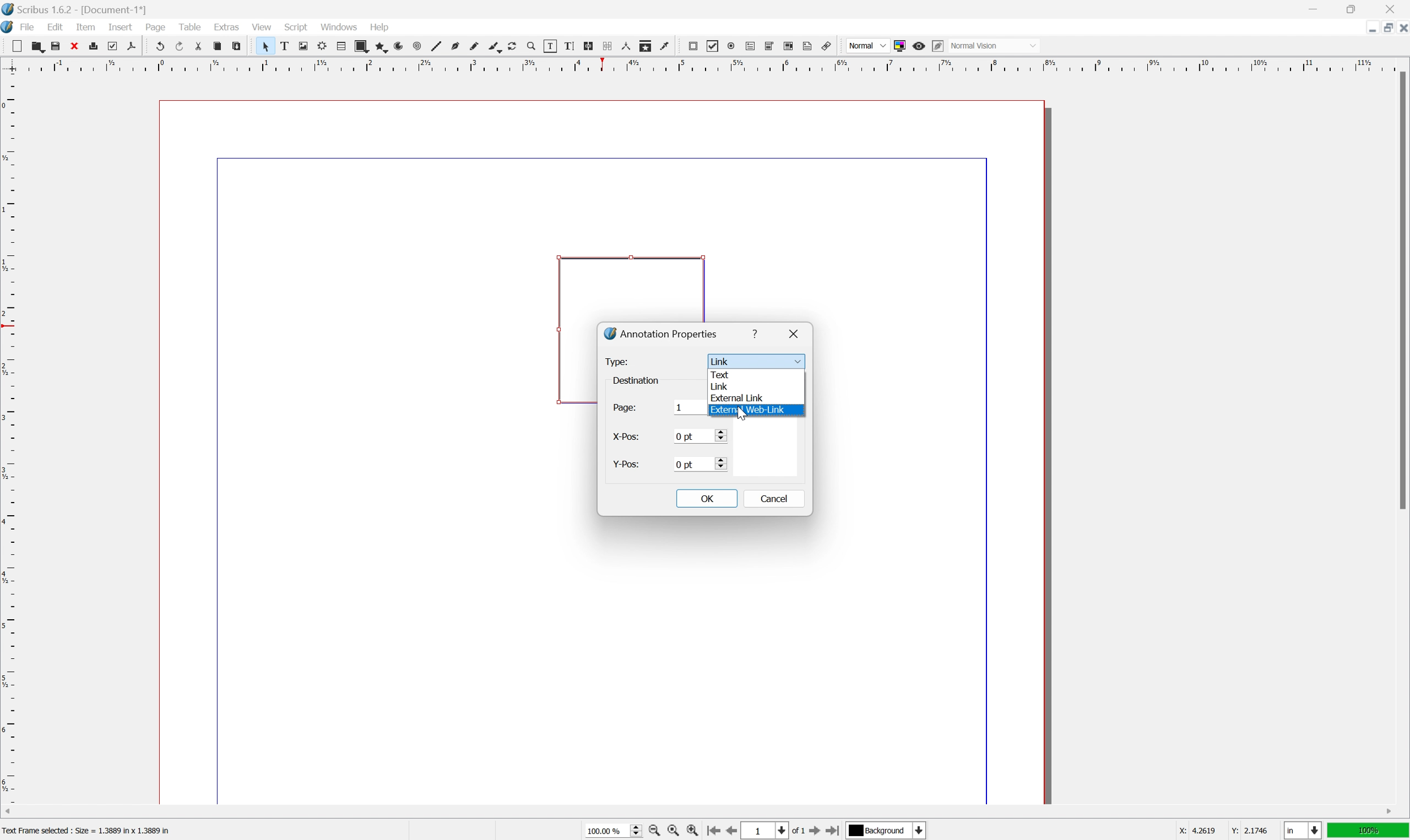 This screenshot has height=840, width=1410. I want to click on normal vision, so click(993, 45).